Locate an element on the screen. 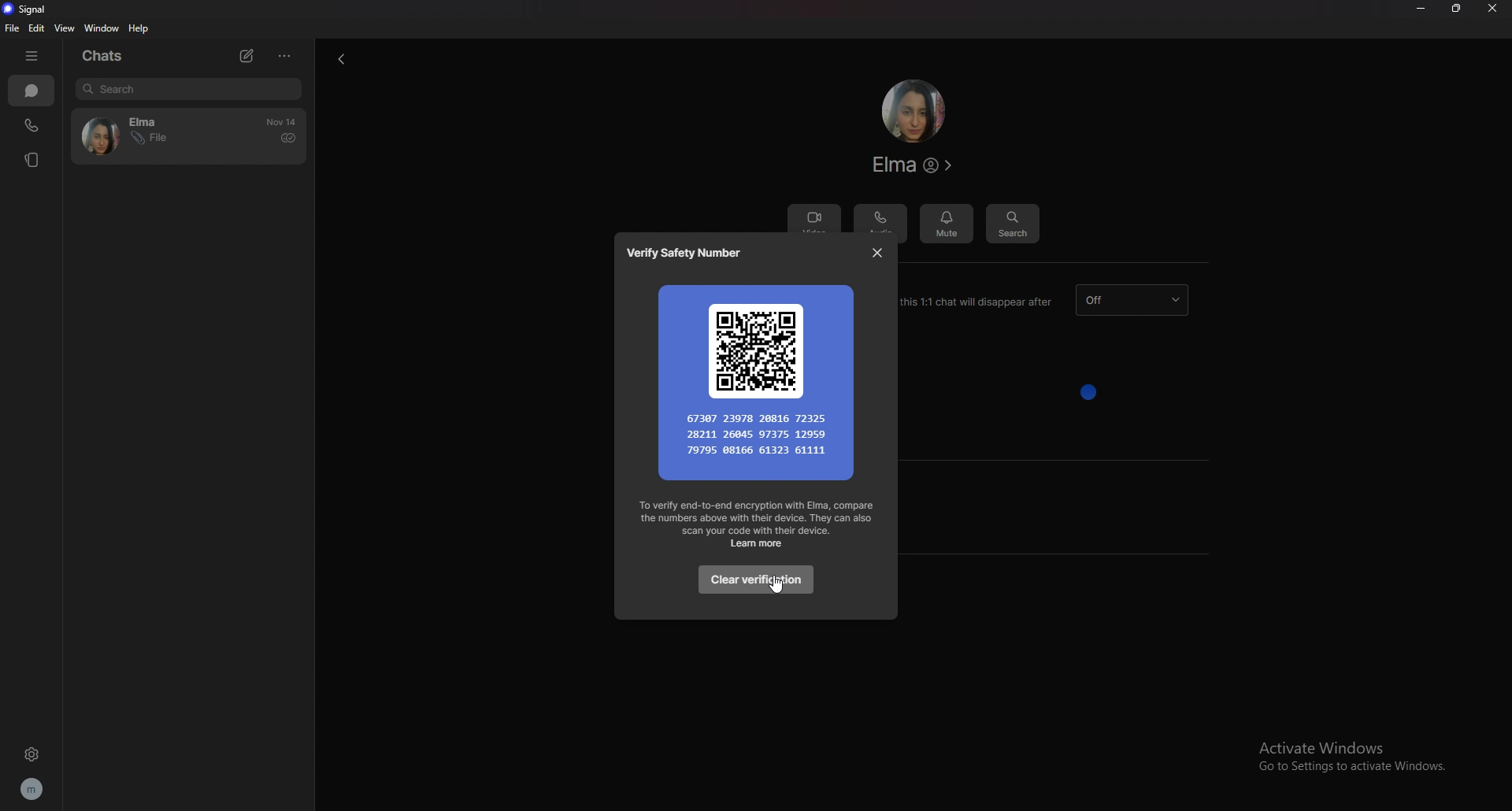  clear verification is located at coordinates (754, 580).